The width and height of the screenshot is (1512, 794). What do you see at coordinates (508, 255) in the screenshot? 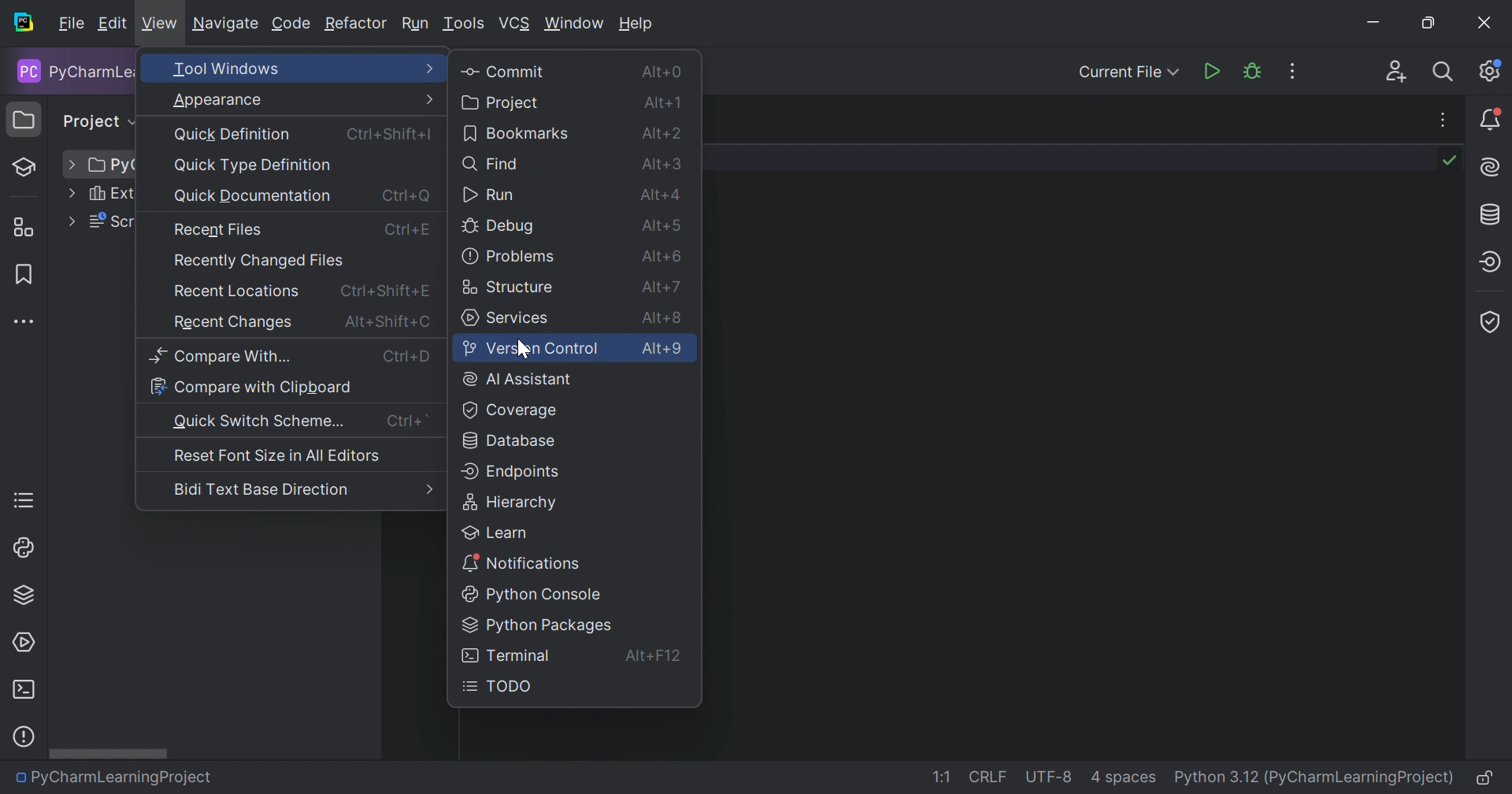
I see `Problems` at bounding box center [508, 255].